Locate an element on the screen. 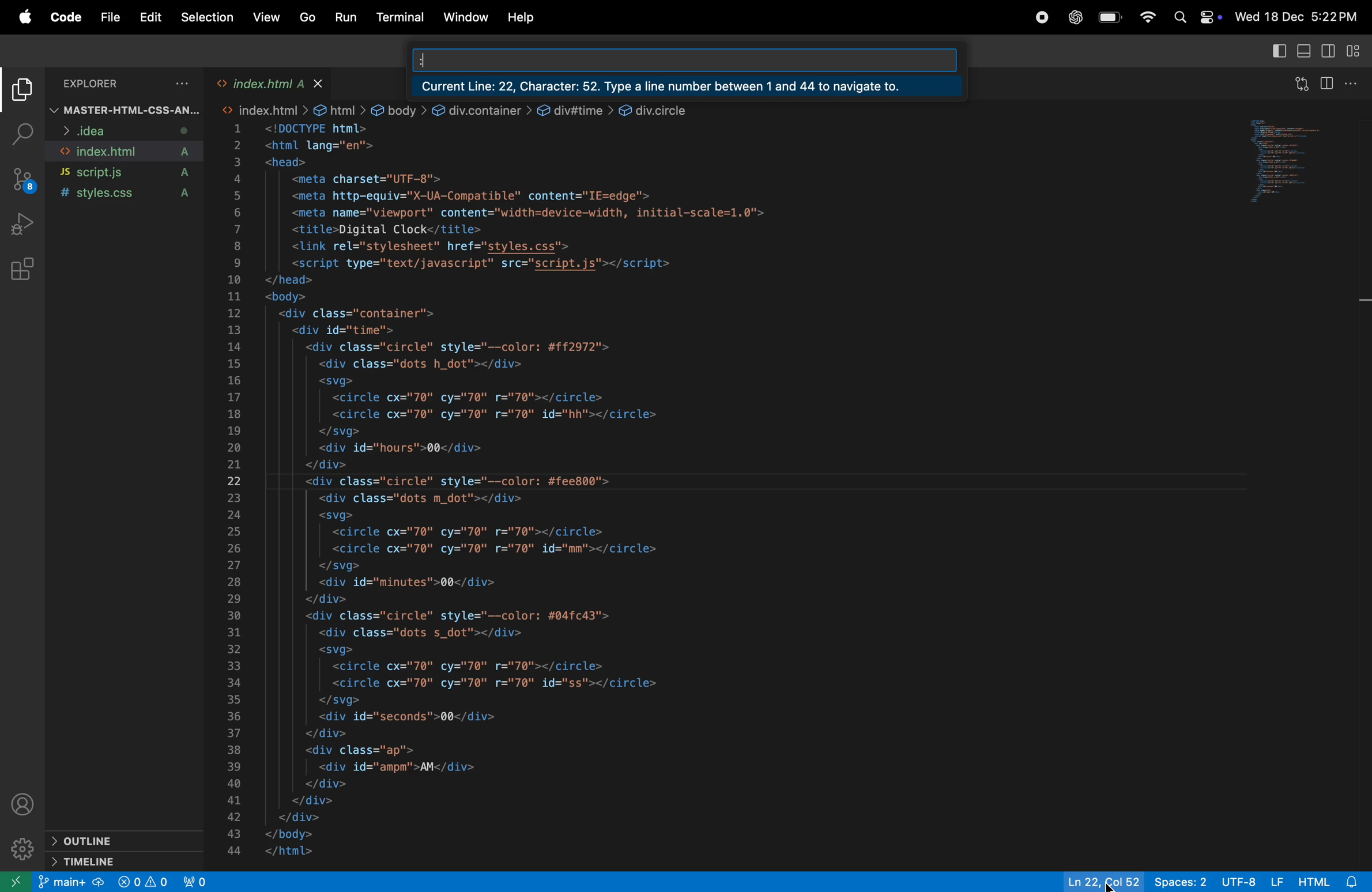 The height and width of the screenshot is (892, 1372). edit is located at coordinates (148, 19).